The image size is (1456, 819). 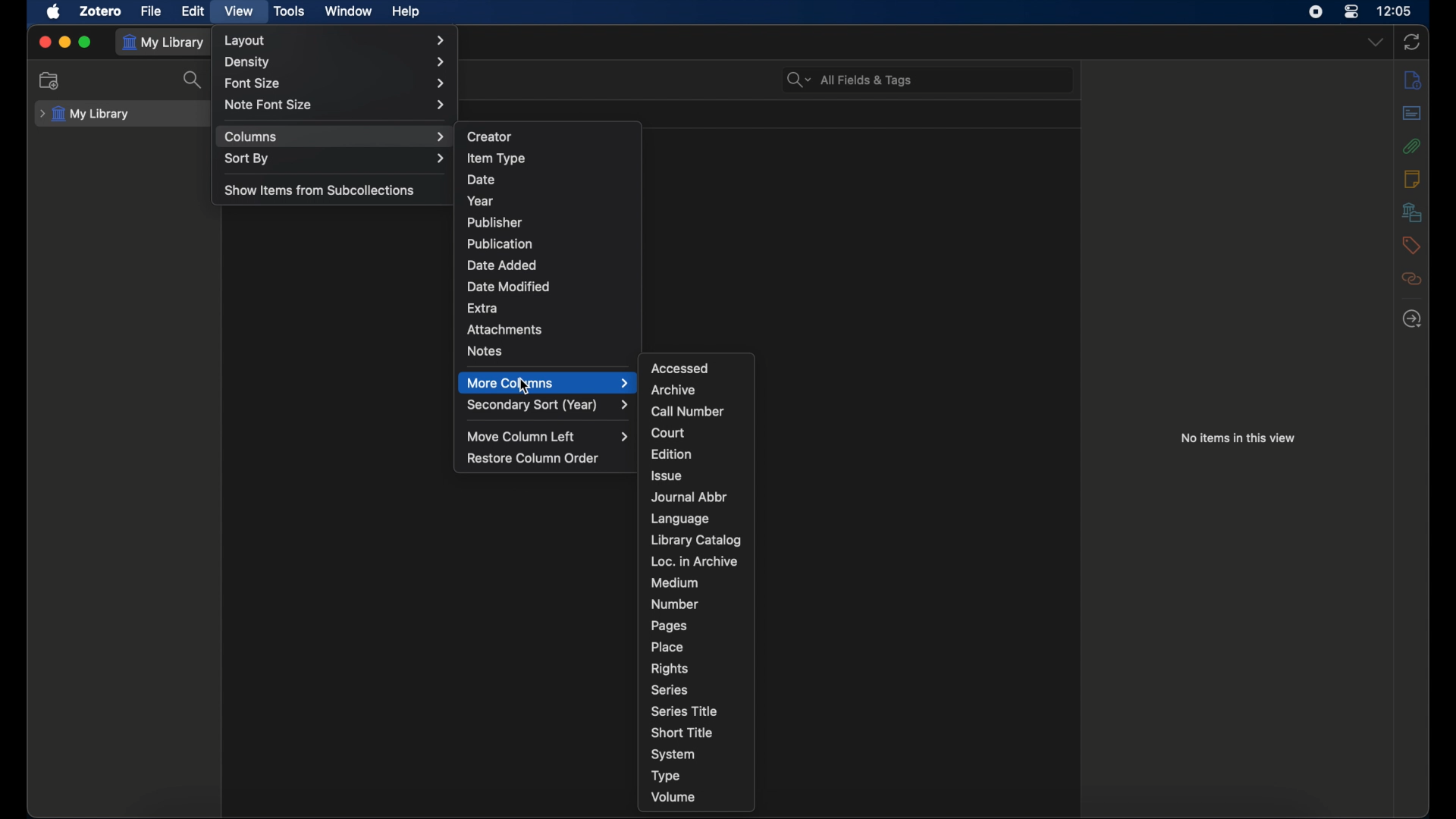 What do you see at coordinates (1238, 438) in the screenshot?
I see `no items in this view` at bounding box center [1238, 438].